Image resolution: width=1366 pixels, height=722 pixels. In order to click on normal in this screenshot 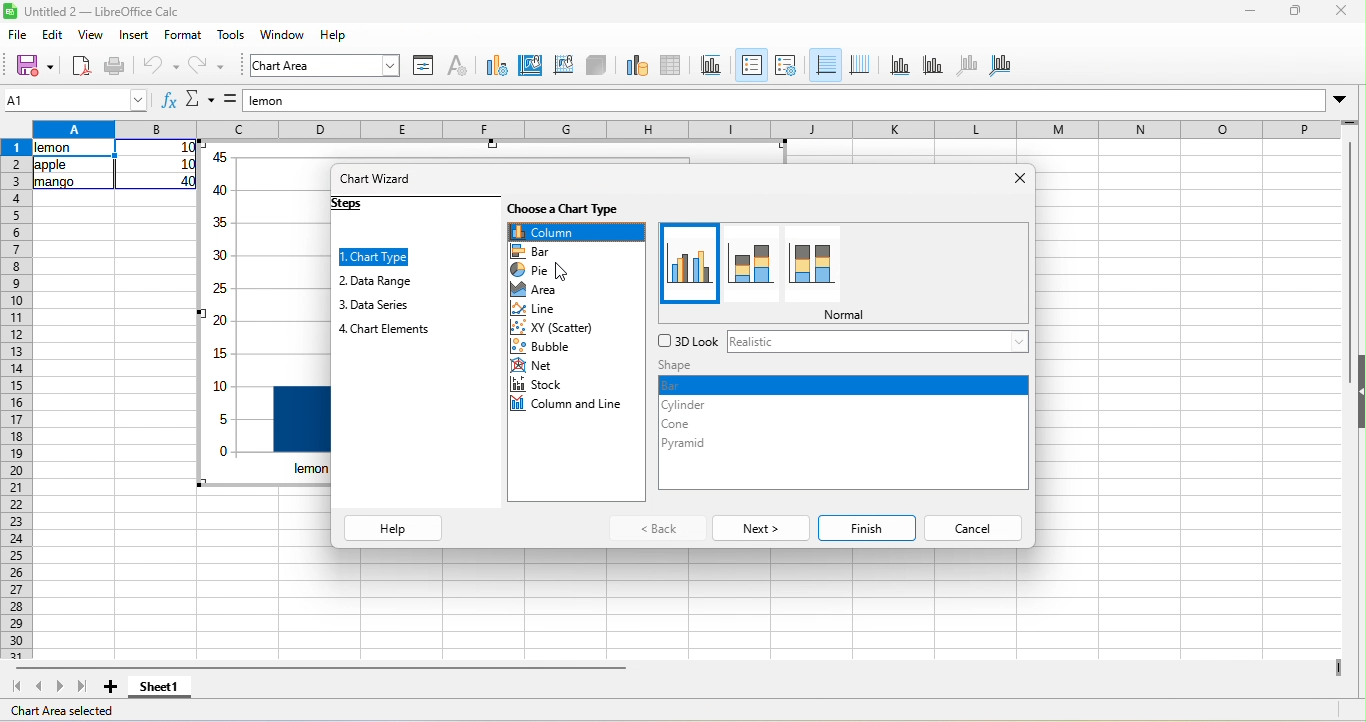, I will do `click(851, 316)`.